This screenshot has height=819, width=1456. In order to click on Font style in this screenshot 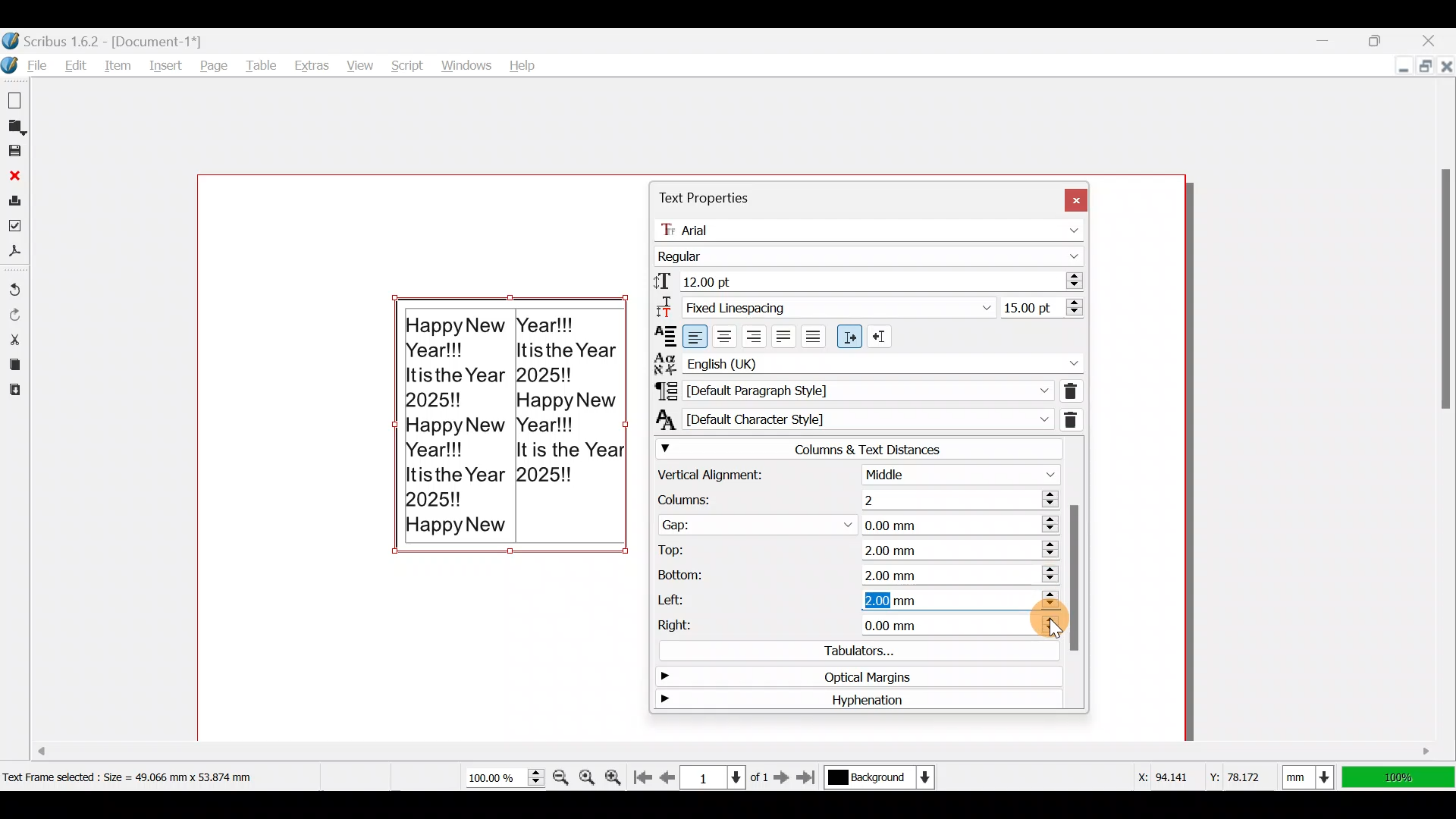, I will do `click(872, 253)`.